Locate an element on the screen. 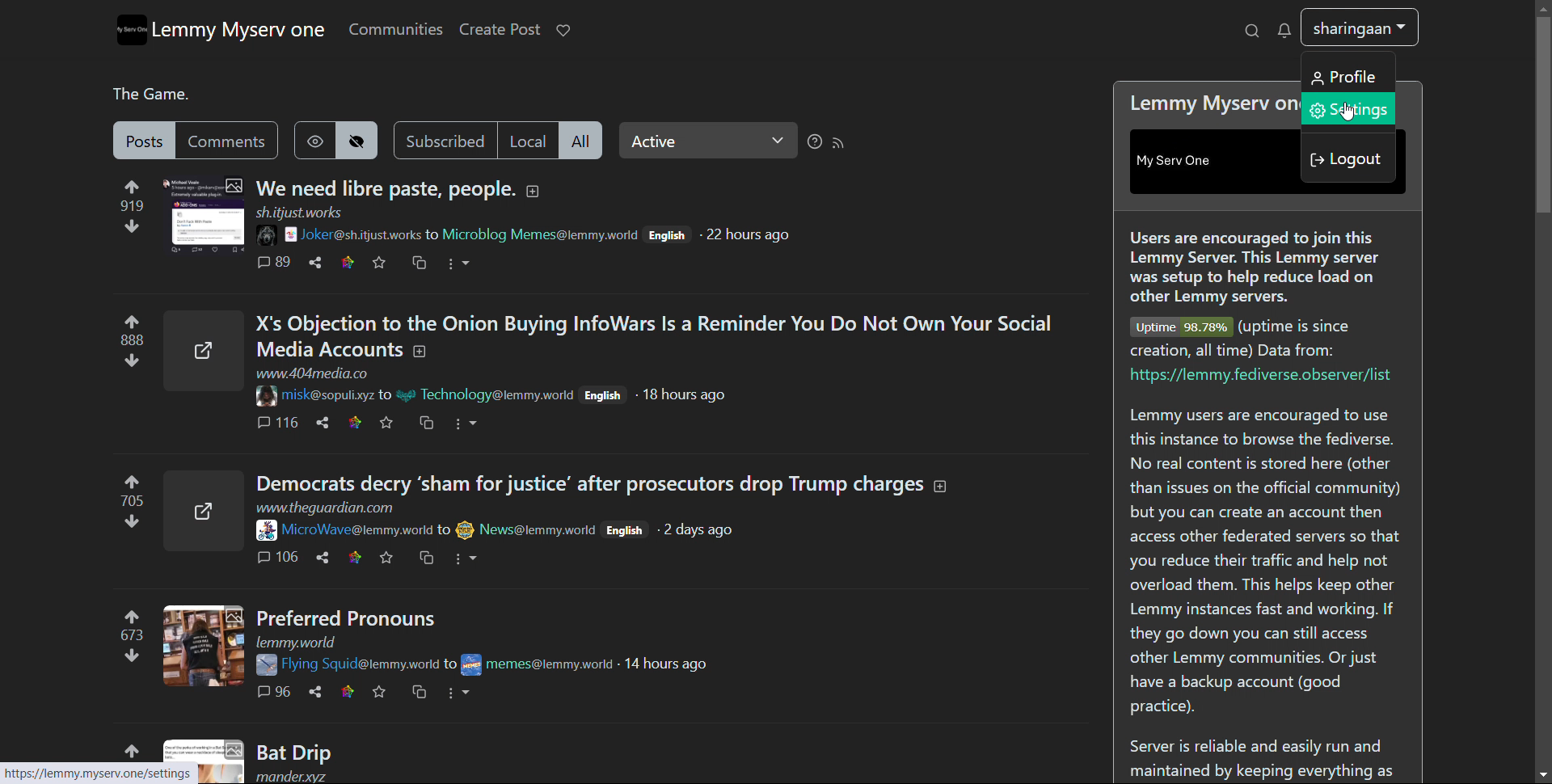  favorites is located at coordinates (380, 263).